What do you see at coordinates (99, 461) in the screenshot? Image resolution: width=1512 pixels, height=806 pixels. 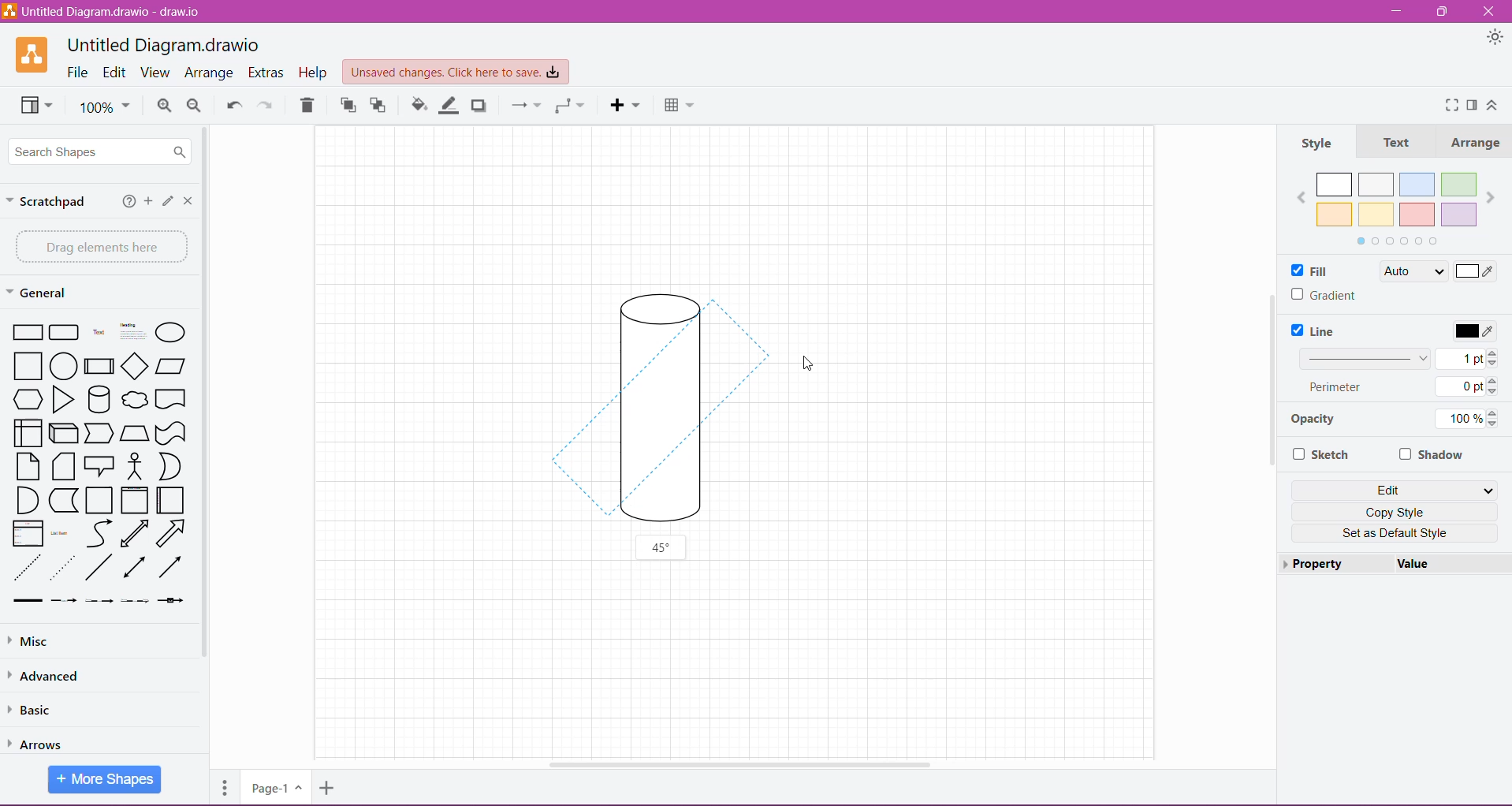 I see `Shapes` at bounding box center [99, 461].